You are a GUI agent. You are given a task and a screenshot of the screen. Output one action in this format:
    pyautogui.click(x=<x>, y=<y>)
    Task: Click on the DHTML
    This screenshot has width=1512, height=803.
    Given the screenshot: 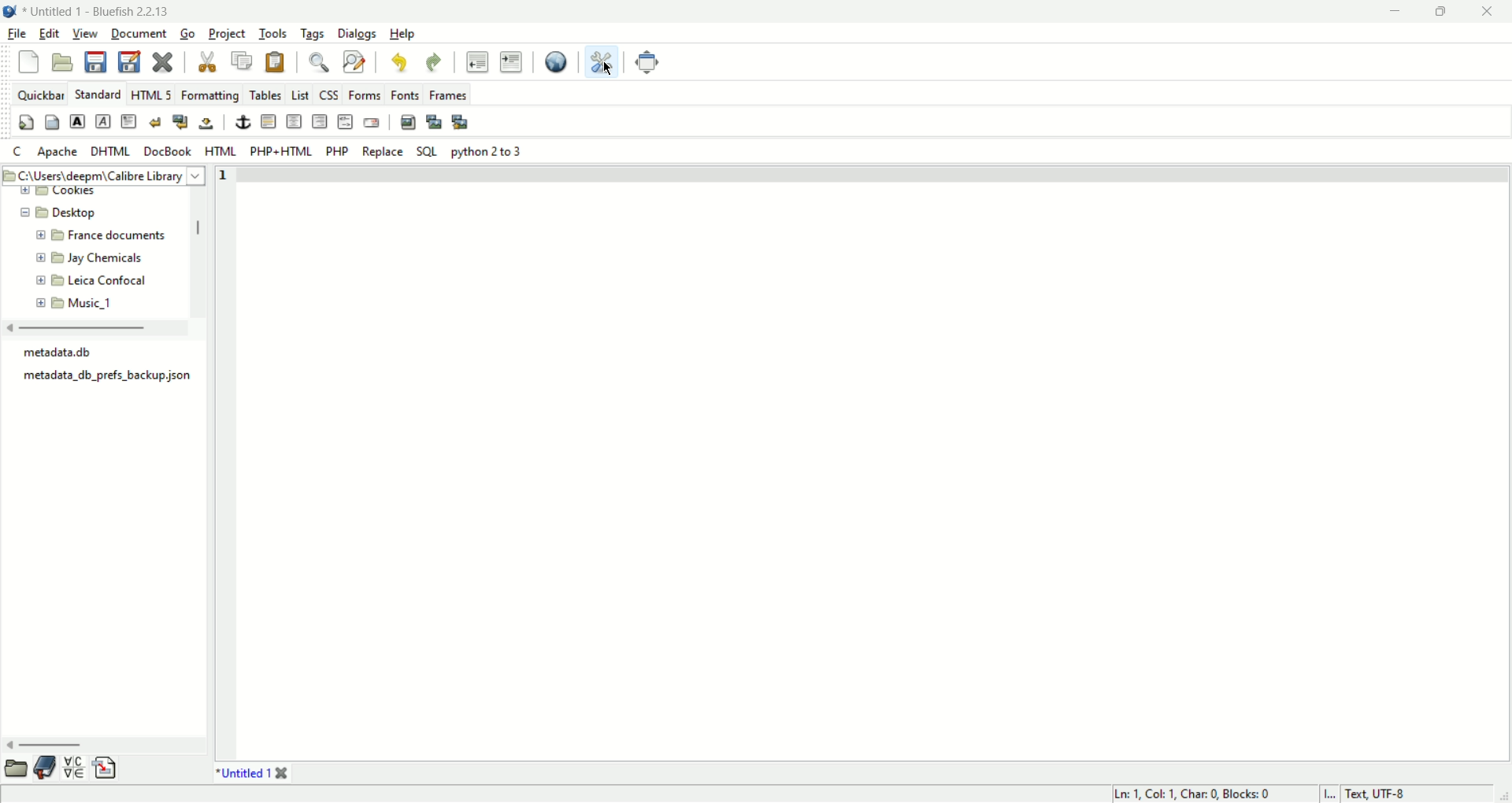 What is the action you would take?
    pyautogui.click(x=110, y=152)
    